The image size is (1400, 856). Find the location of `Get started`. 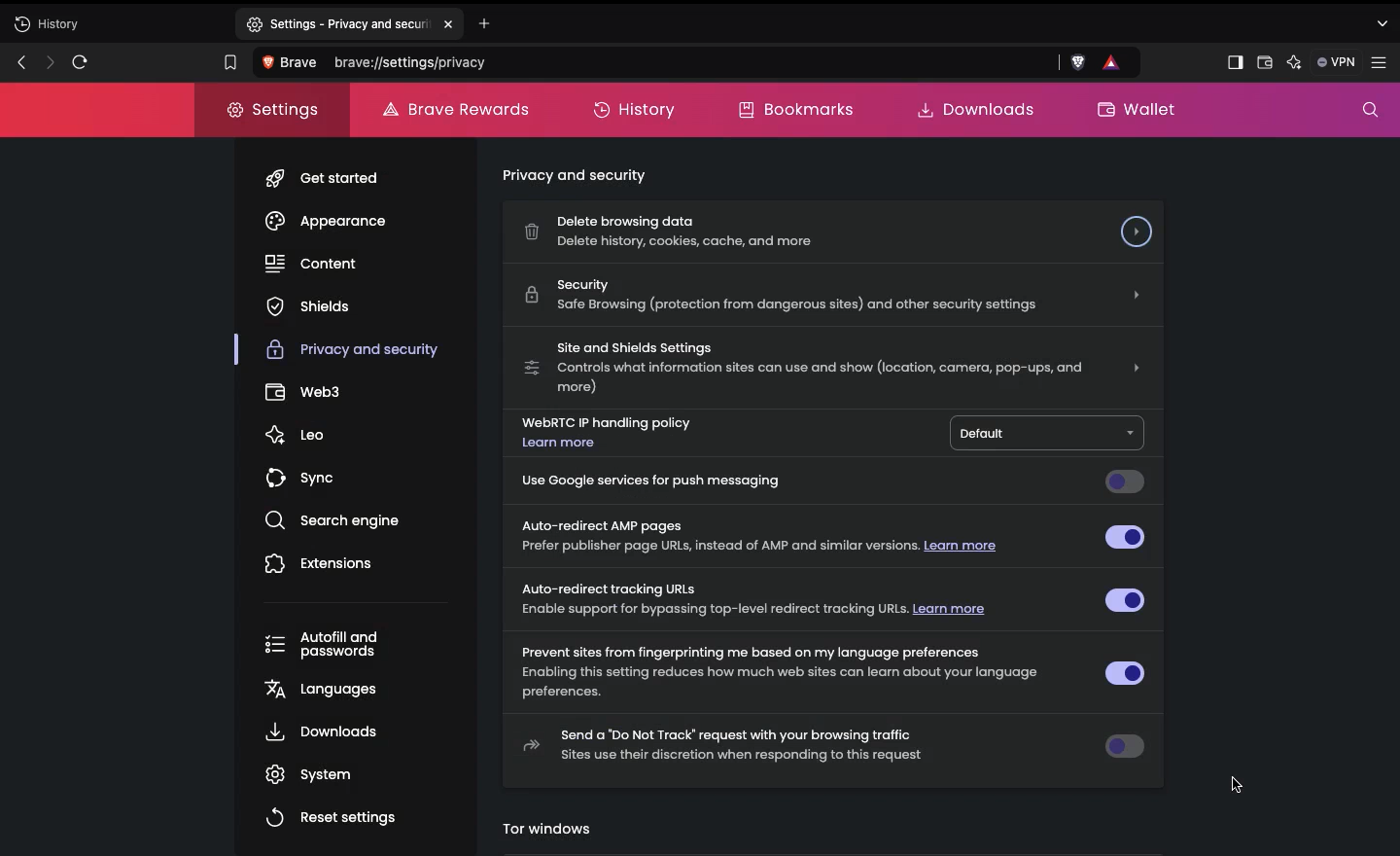

Get started is located at coordinates (323, 180).